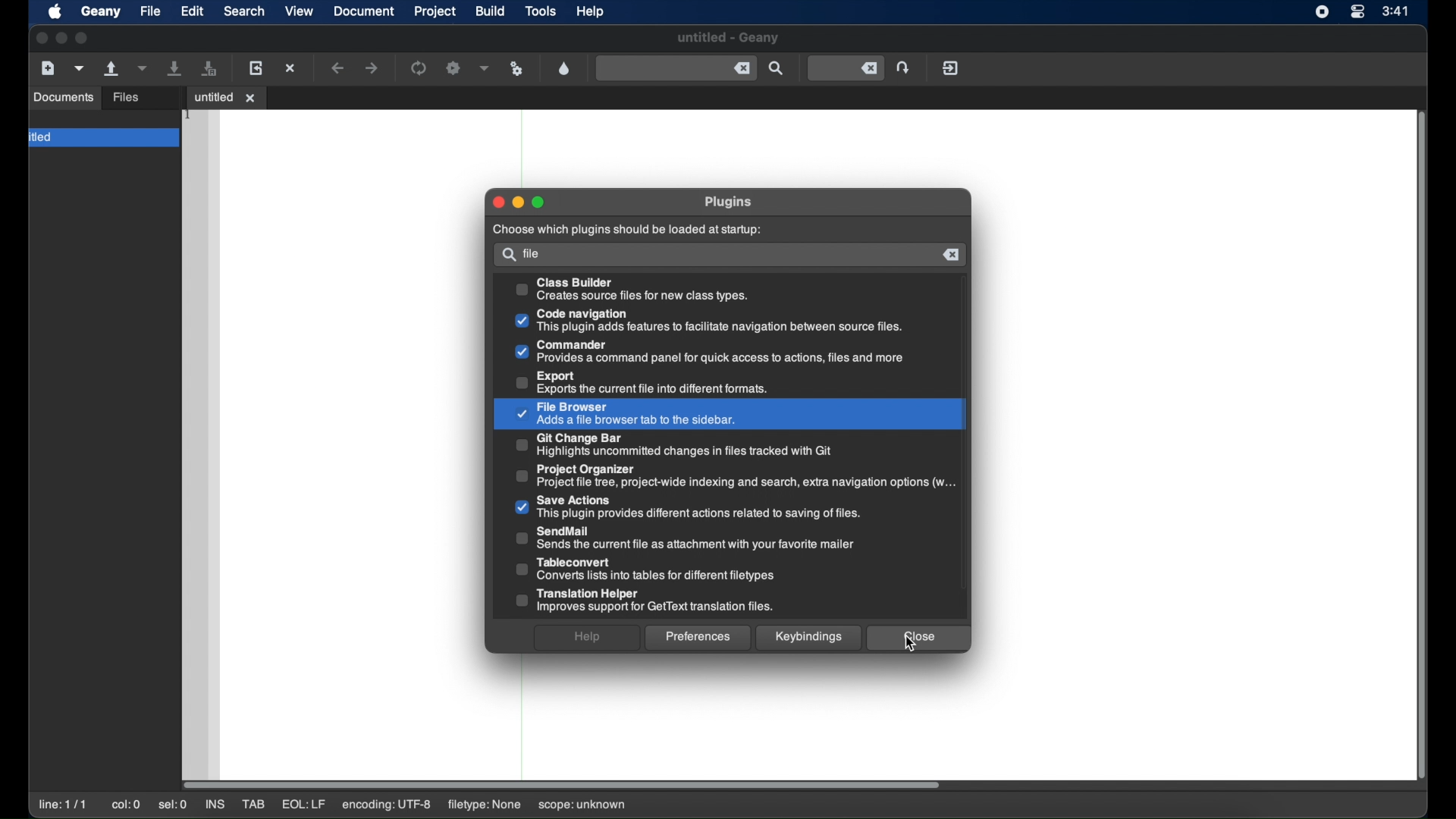 The image size is (1456, 819). I want to click on eql: lf, so click(303, 804).